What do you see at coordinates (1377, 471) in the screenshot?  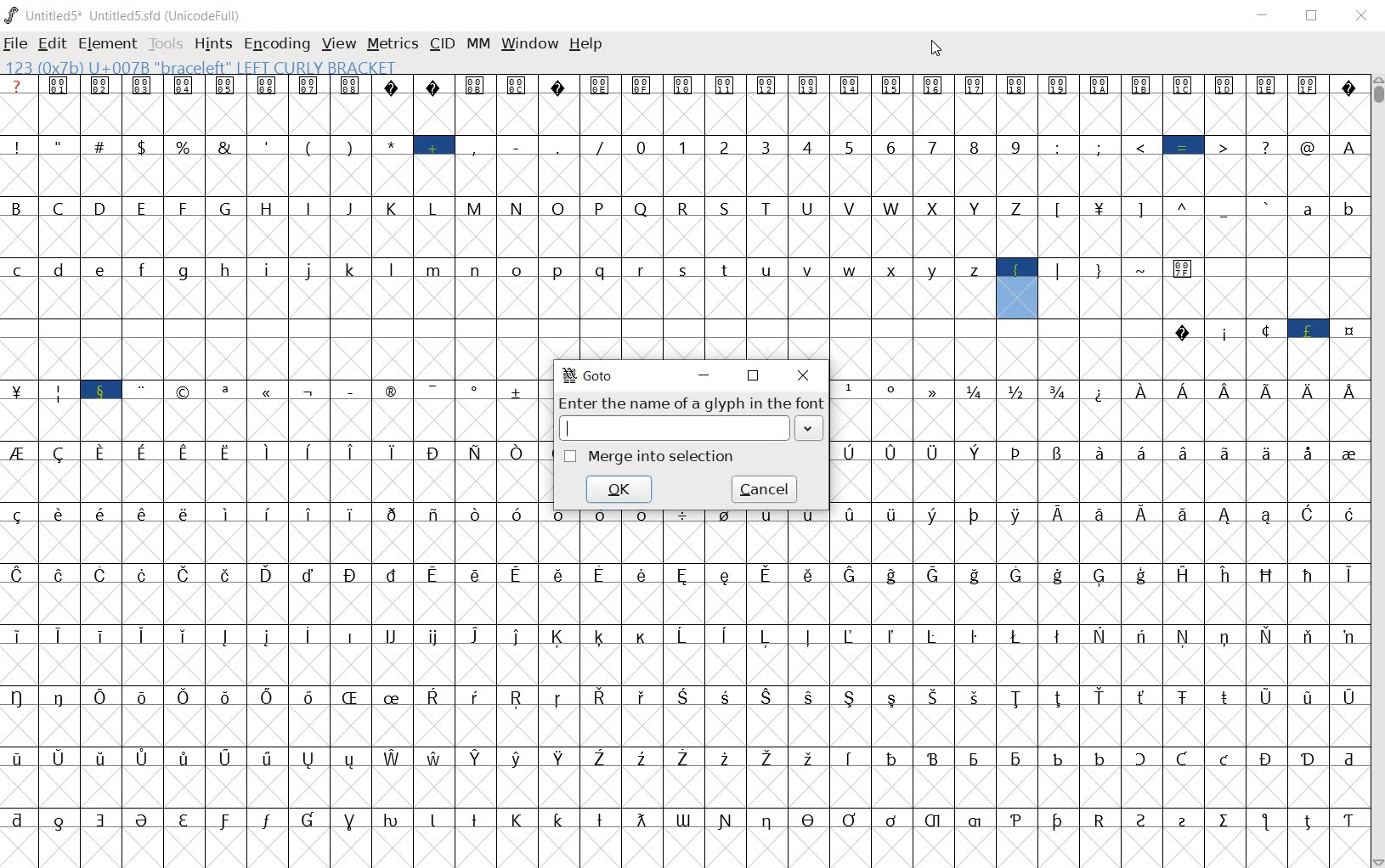 I see `SCROLLBAR` at bounding box center [1377, 471].